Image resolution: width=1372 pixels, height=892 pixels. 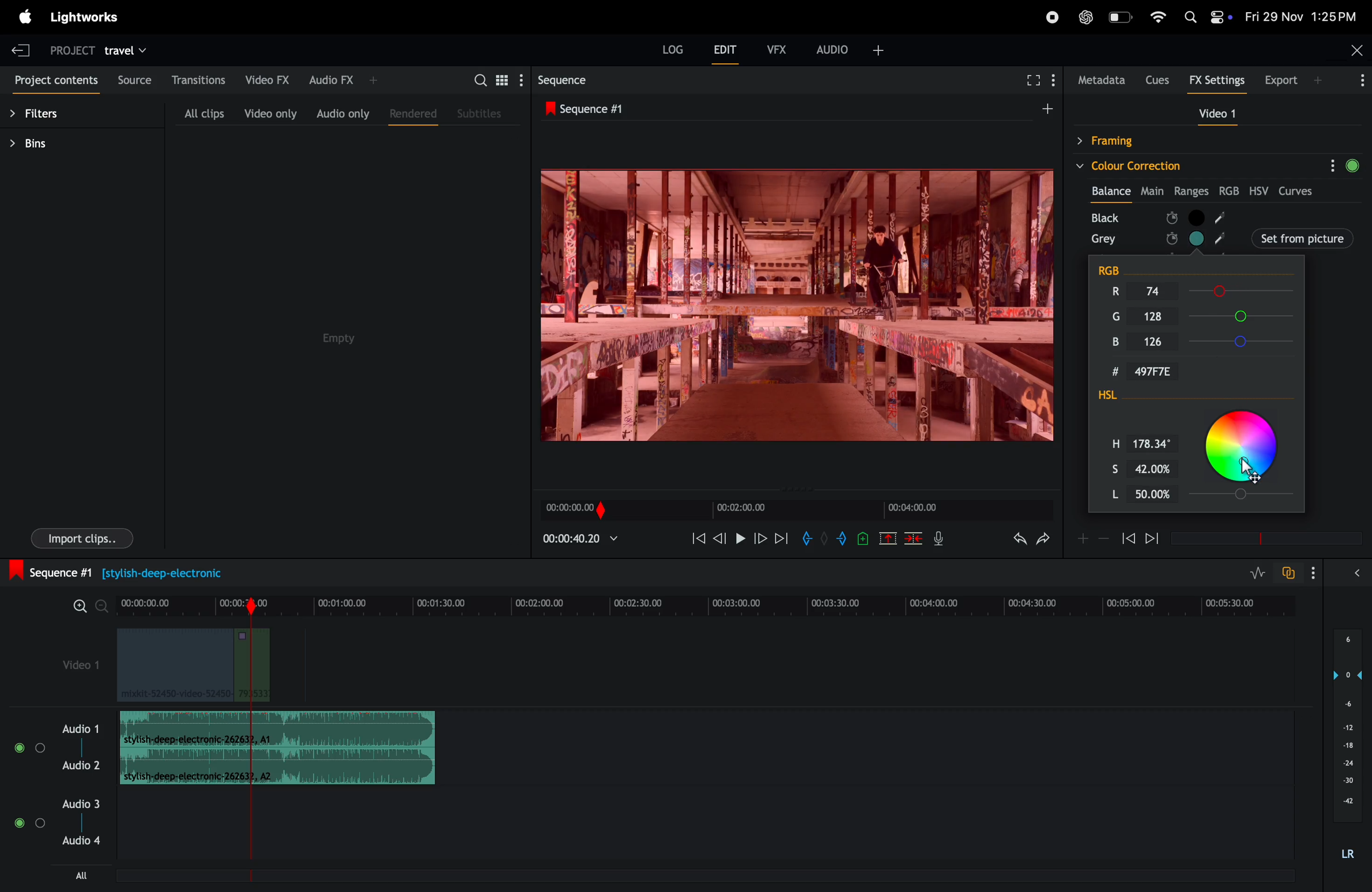 What do you see at coordinates (1249, 467) in the screenshot?
I see `cursor` at bounding box center [1249, 467].